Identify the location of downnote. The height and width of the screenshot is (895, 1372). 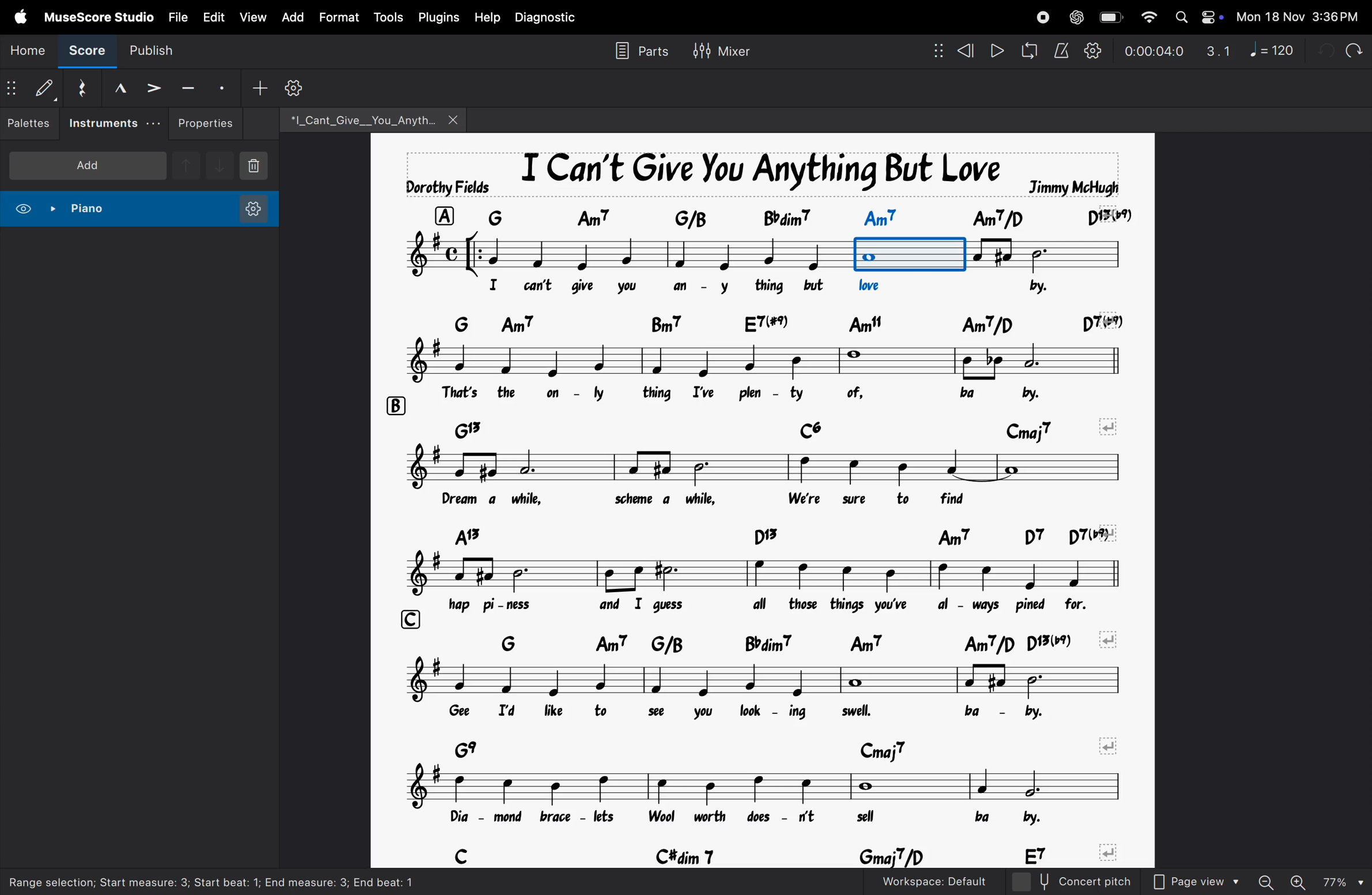
(218, 164).